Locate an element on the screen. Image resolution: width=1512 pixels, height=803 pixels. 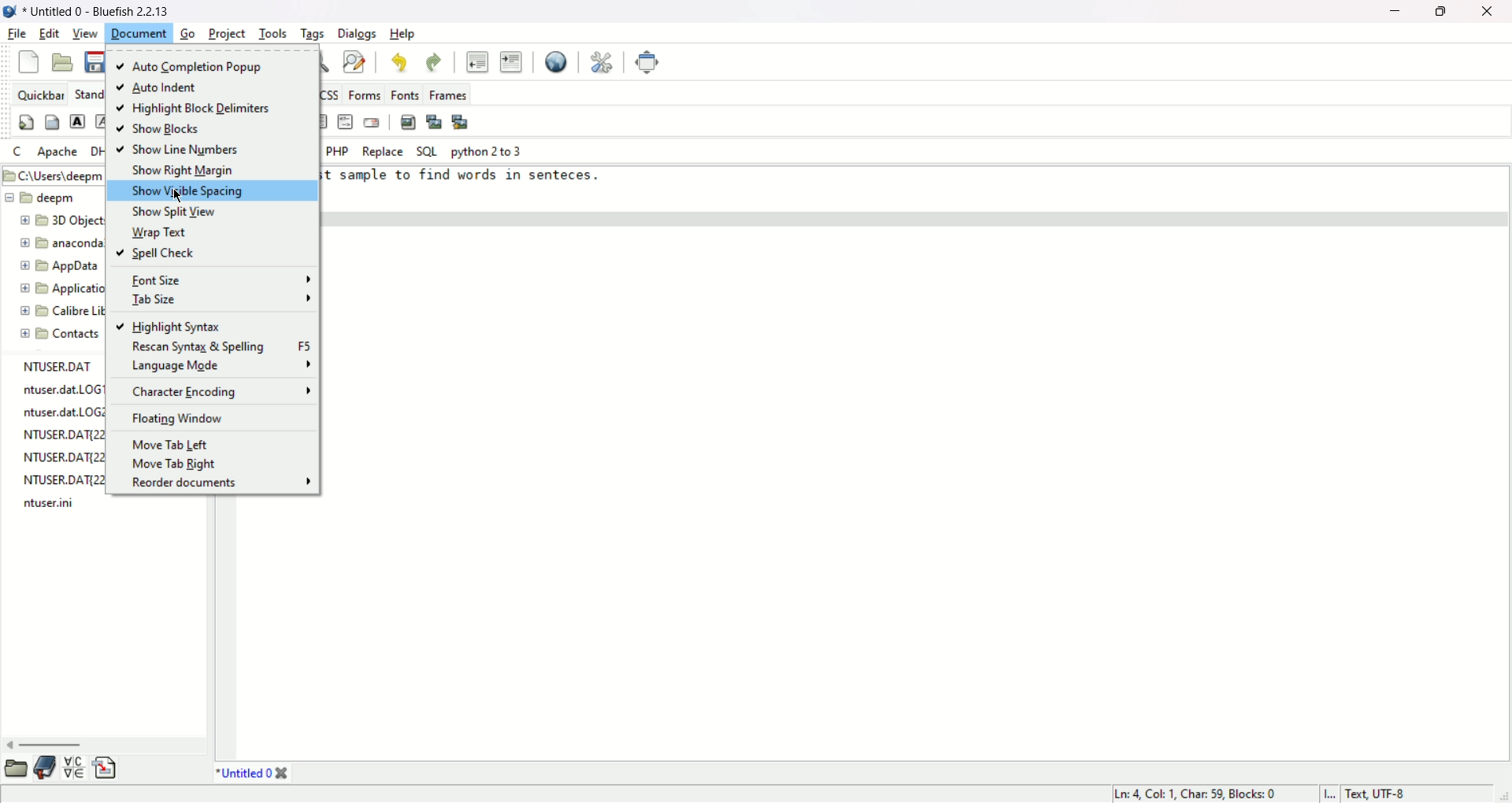
deepm is located at coordinates (54, 198).